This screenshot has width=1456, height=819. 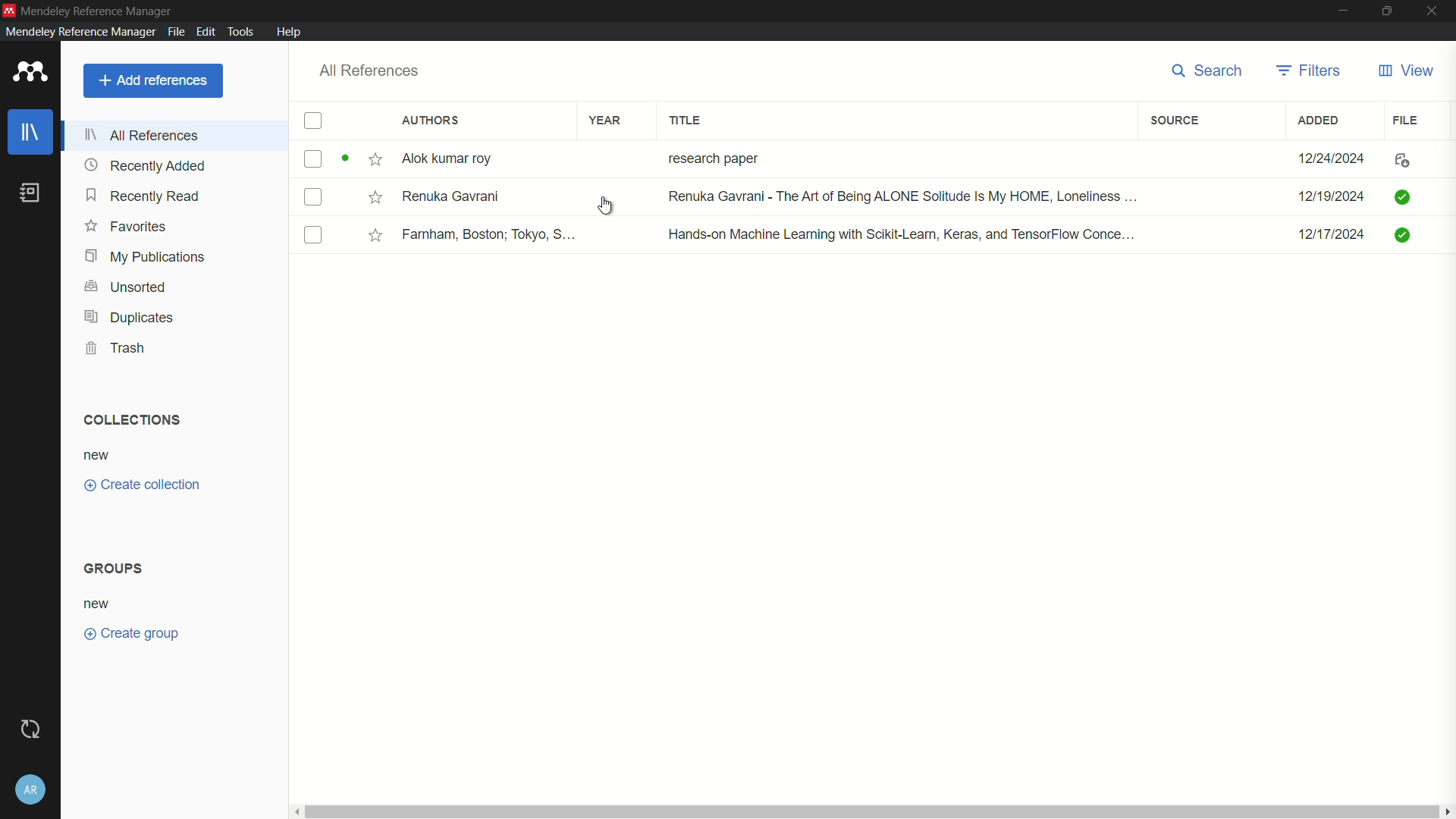 I want to click on 12/19/2024, so click(x=1328, y=196).